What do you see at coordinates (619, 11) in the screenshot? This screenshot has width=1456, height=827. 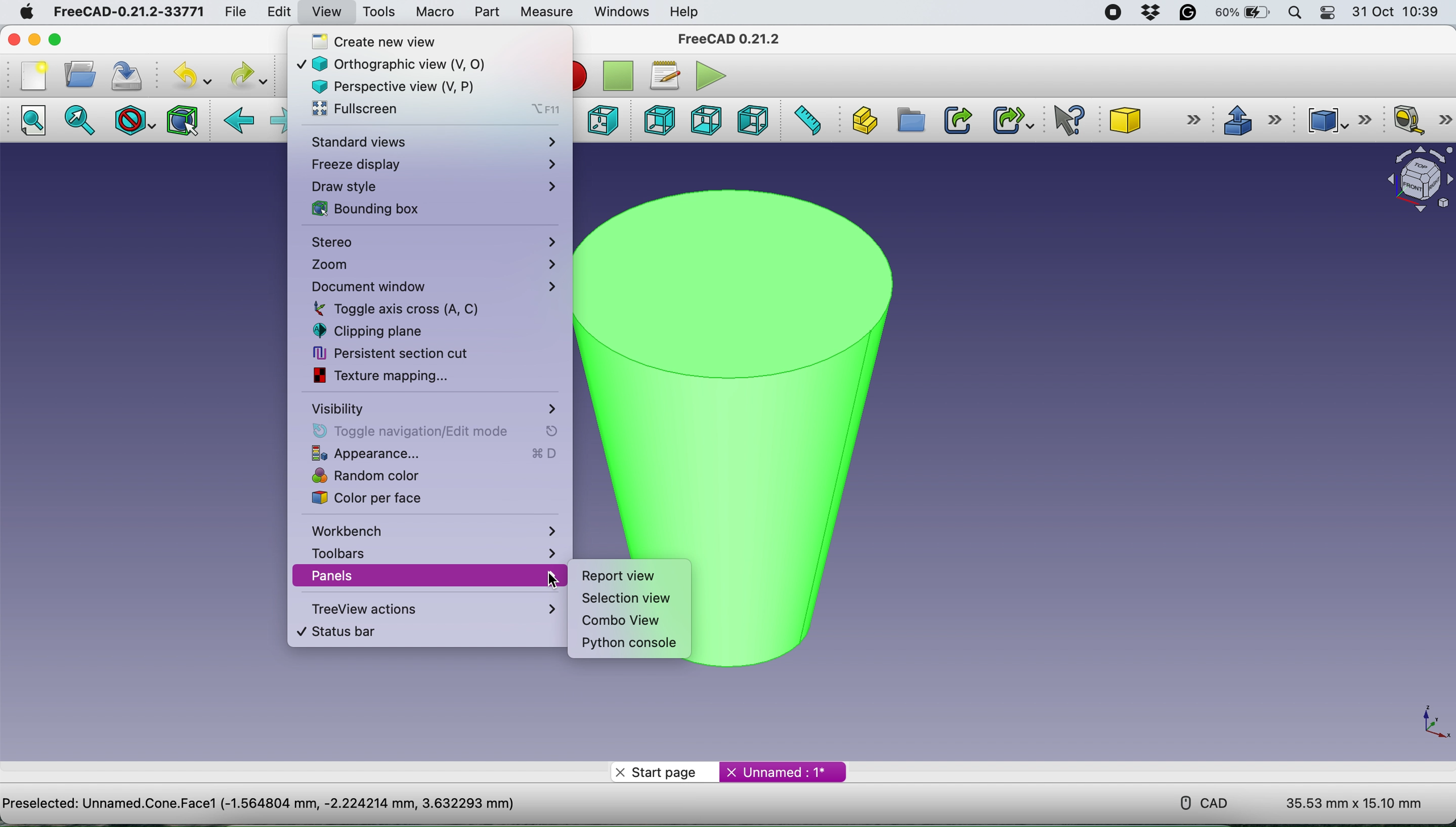 I see `windows` at bounding box center [619, 11].